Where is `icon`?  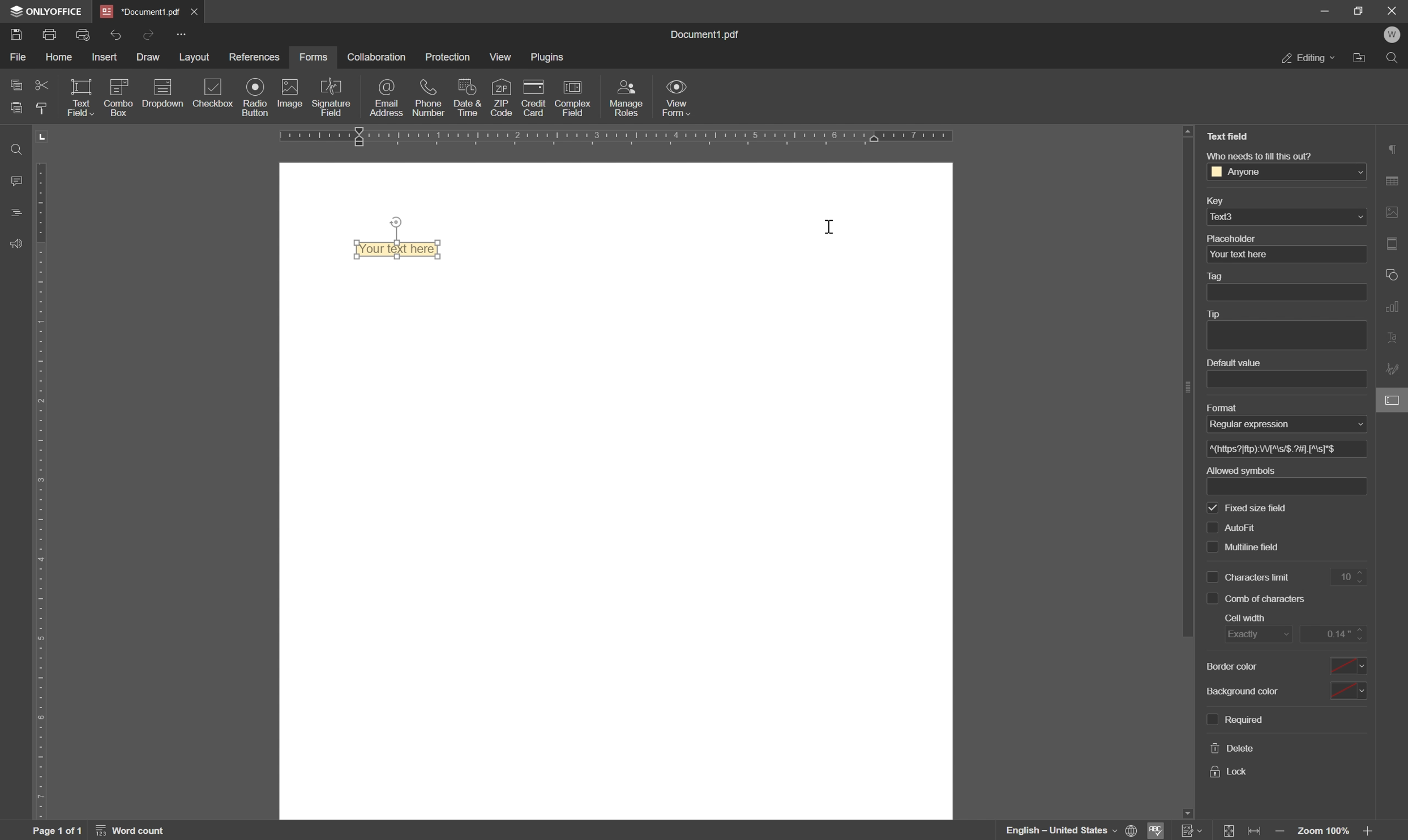
icon is located at coordinates (161, 96).